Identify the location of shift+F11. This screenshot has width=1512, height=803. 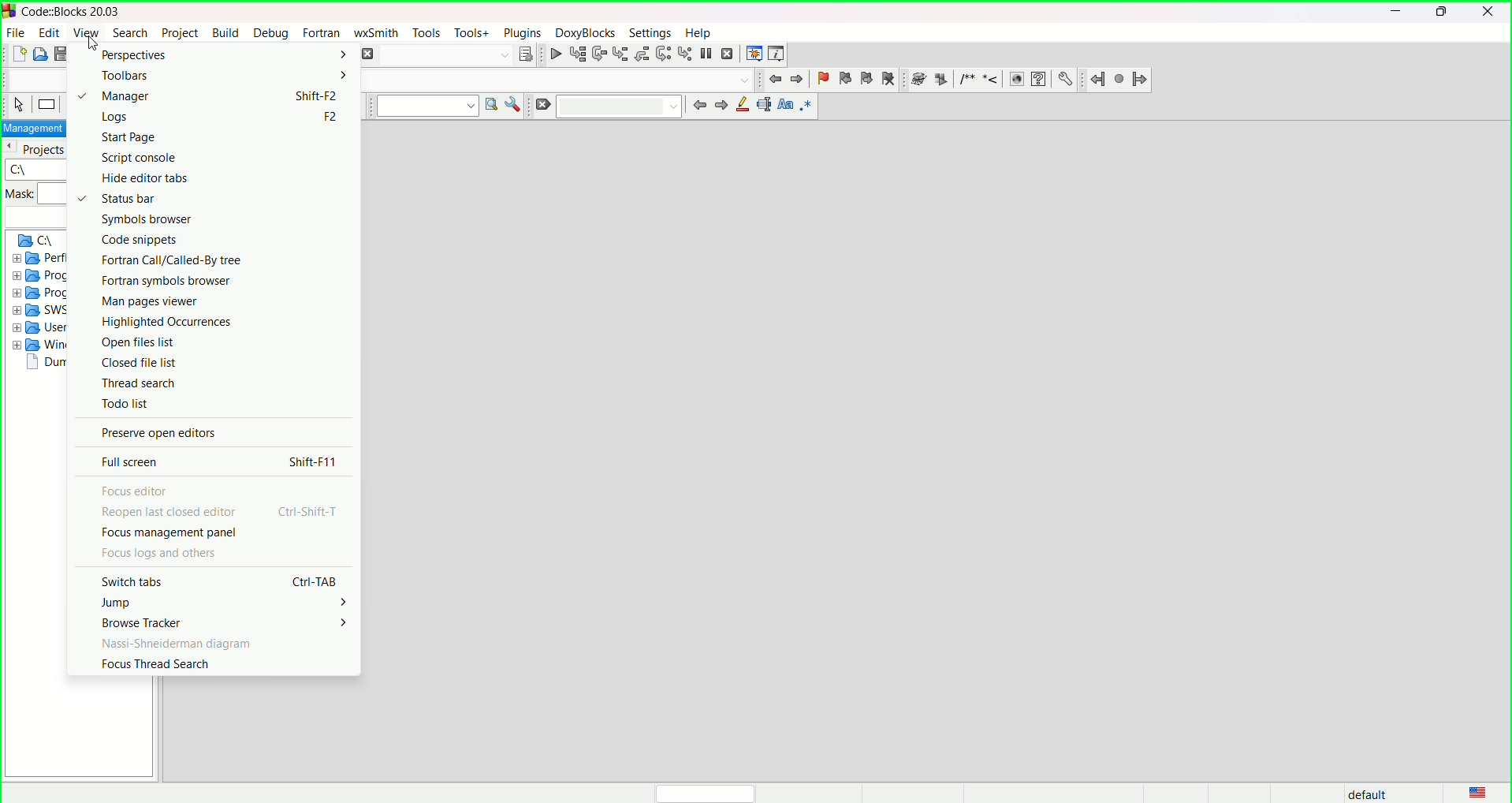
(313, 462).